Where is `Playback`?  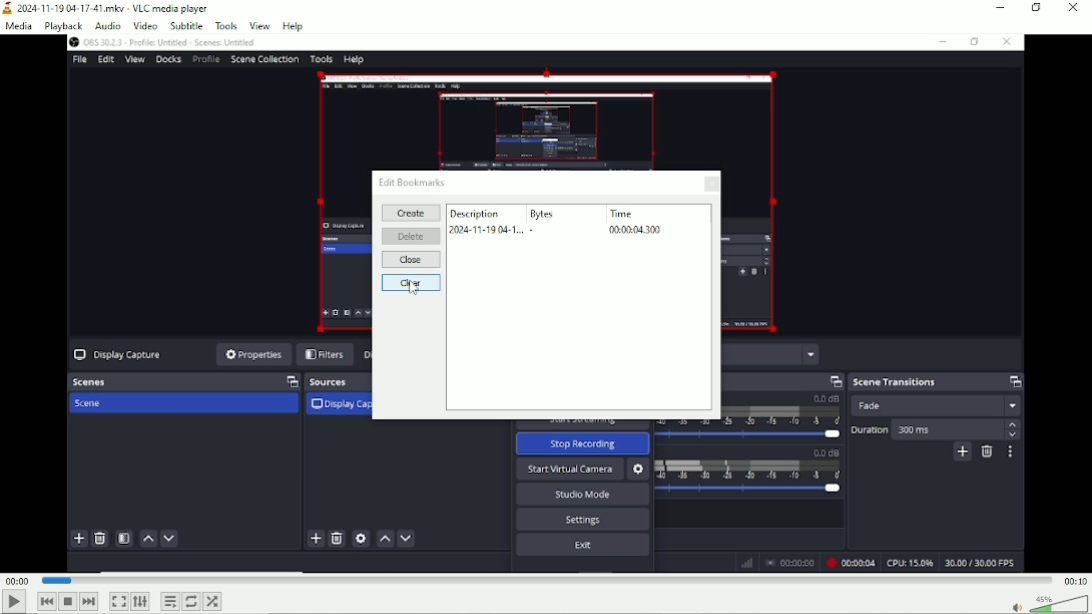
Playback is located at coordinates (63, 26).